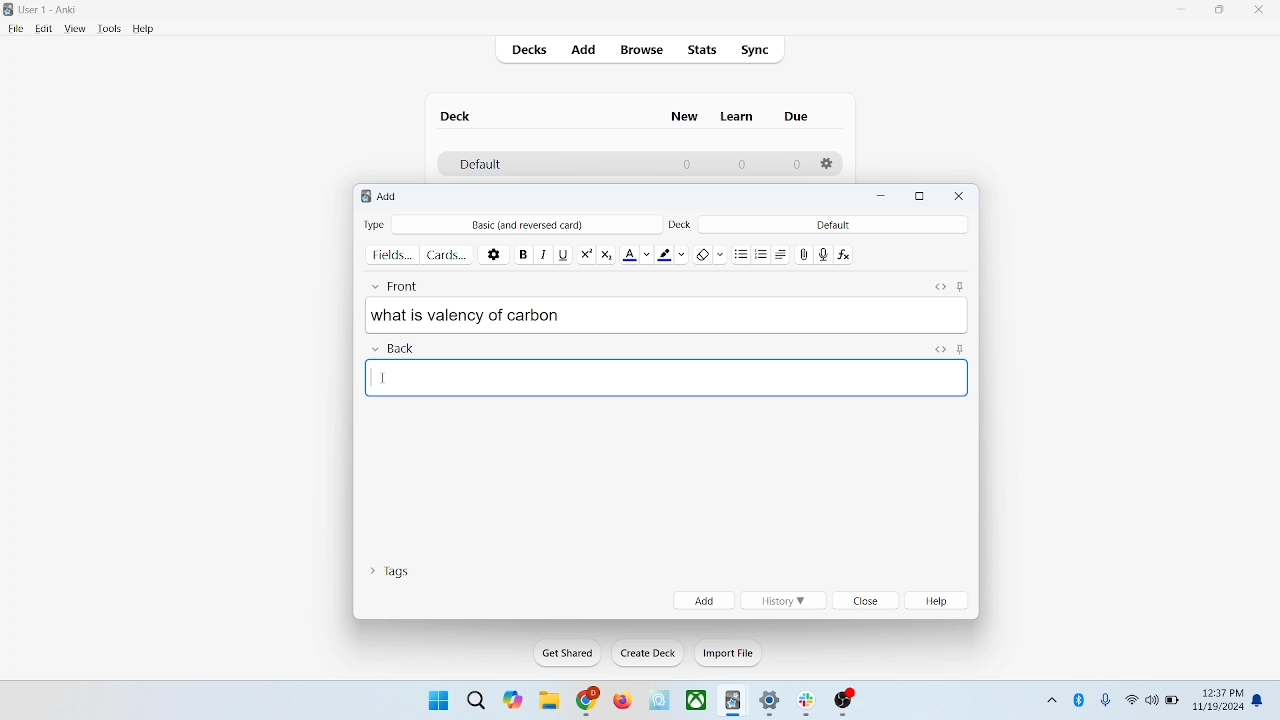 The image size is (1280, 720). What do you see at coordinates (1107, 701) in the screenshot?
I see `microphone` at bounding box center [1107, 701].